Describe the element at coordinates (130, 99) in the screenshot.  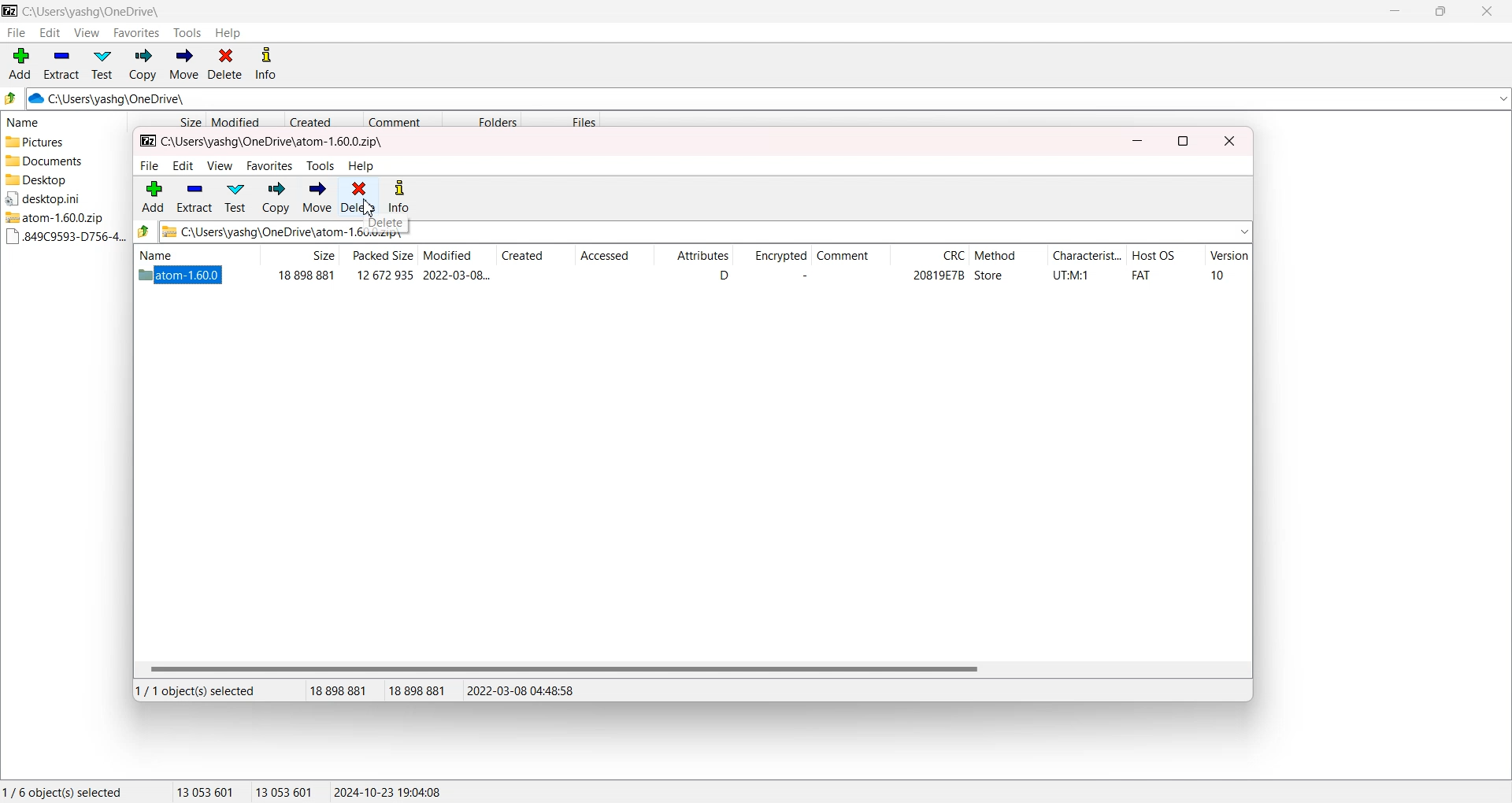
I see `C:\Users\yashg\OneDrive\` at that location.